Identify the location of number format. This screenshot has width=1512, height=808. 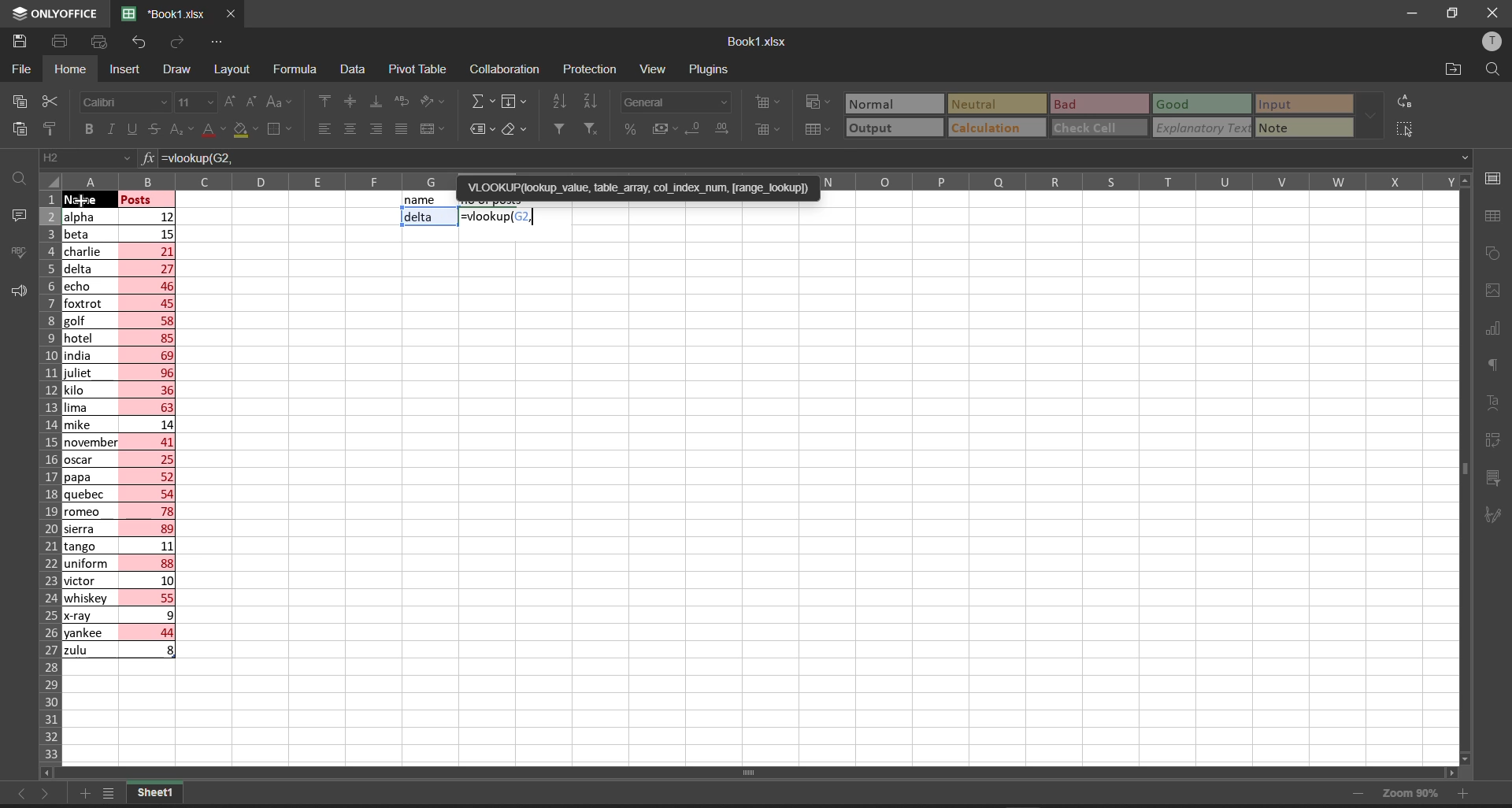
(676, 102).